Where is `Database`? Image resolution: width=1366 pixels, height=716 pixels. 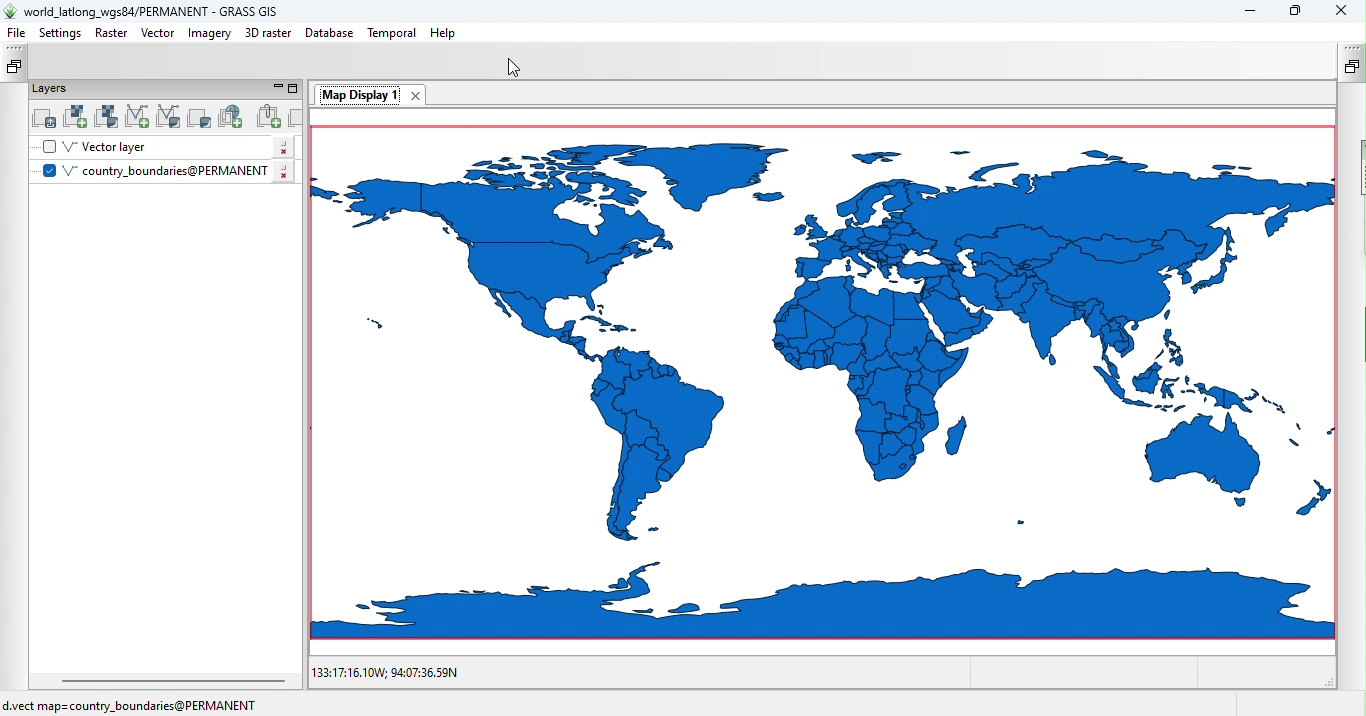 Database is located at coordinates (331, 35).